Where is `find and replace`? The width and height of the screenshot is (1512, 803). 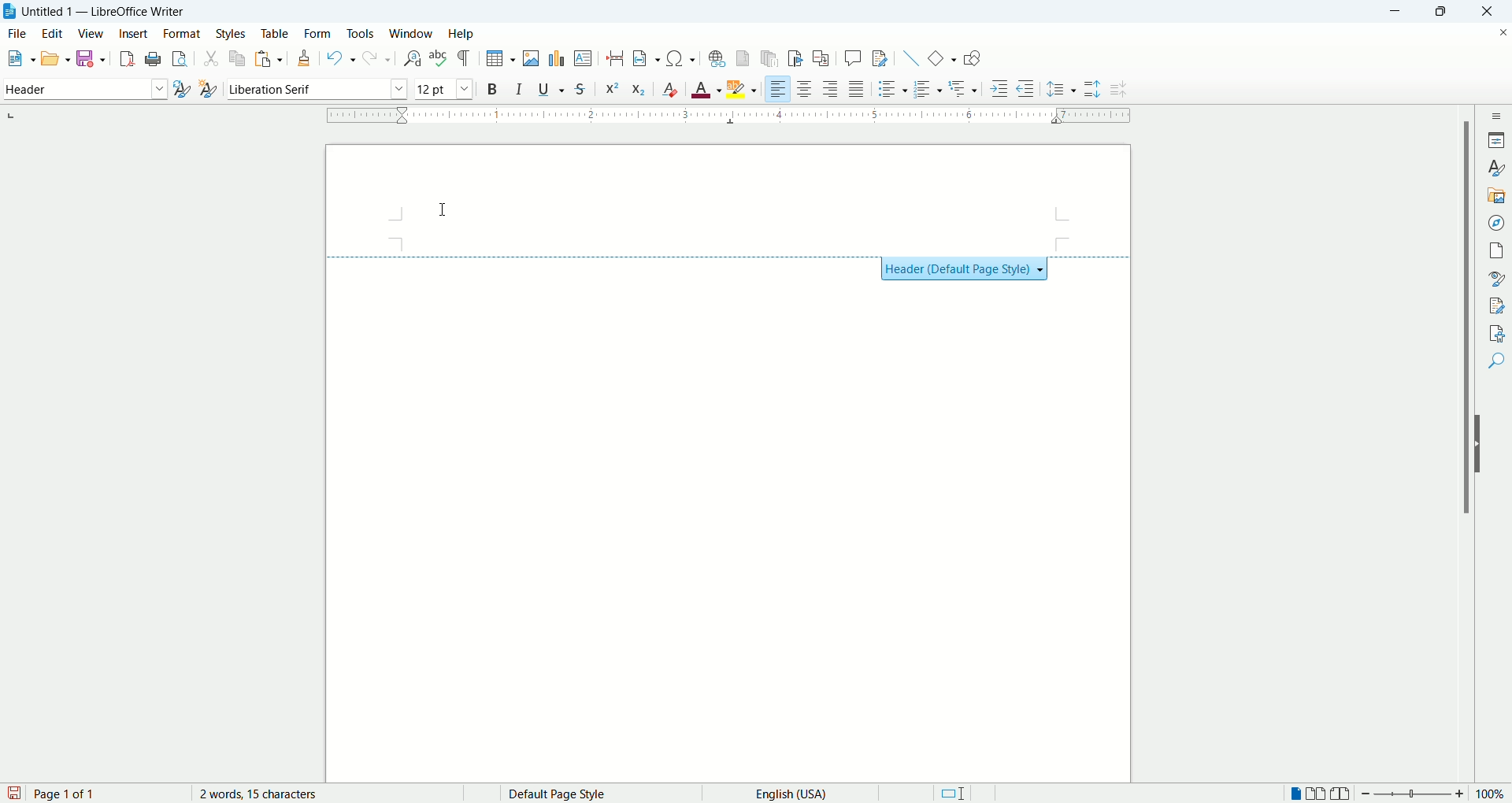 find and replace is located at coordinates (412, 58).